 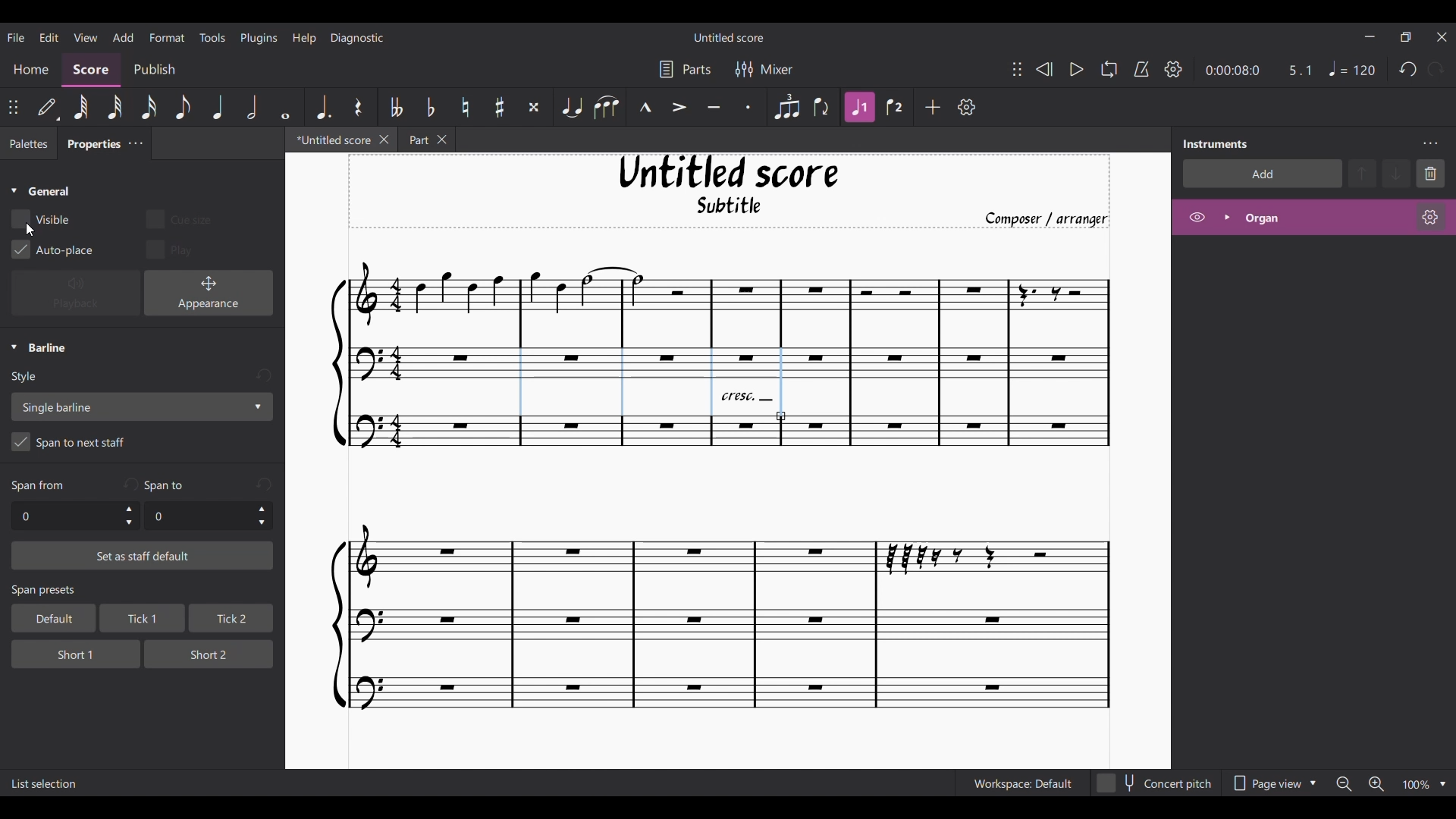 I want to click on Appearance, so click(x=209, y=293).